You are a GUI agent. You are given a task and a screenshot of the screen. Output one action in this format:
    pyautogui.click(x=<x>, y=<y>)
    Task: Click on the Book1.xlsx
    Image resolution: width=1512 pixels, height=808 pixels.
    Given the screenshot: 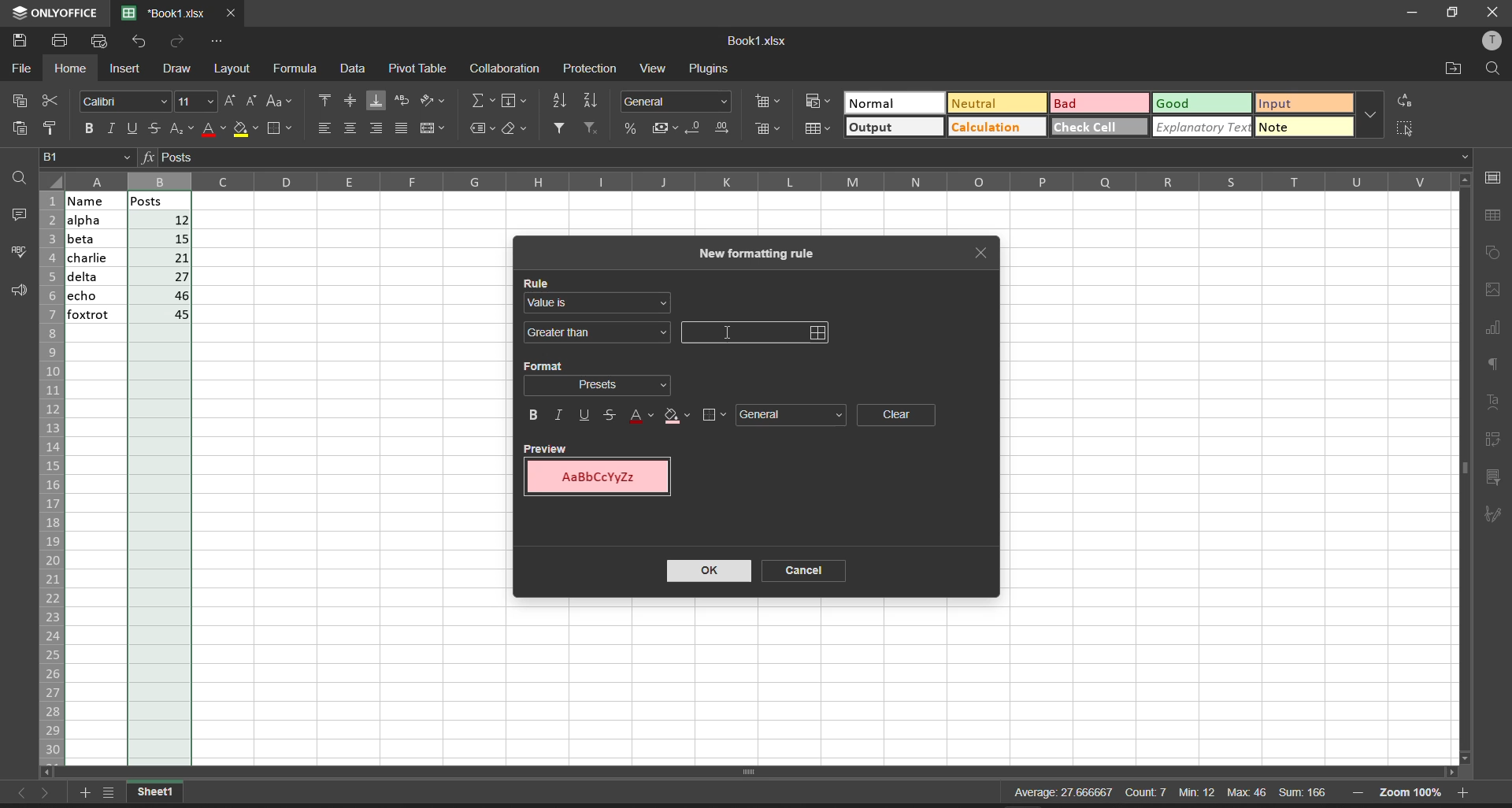 What is the action you would take?
    pyautogui.click(x=755, y=40)
    